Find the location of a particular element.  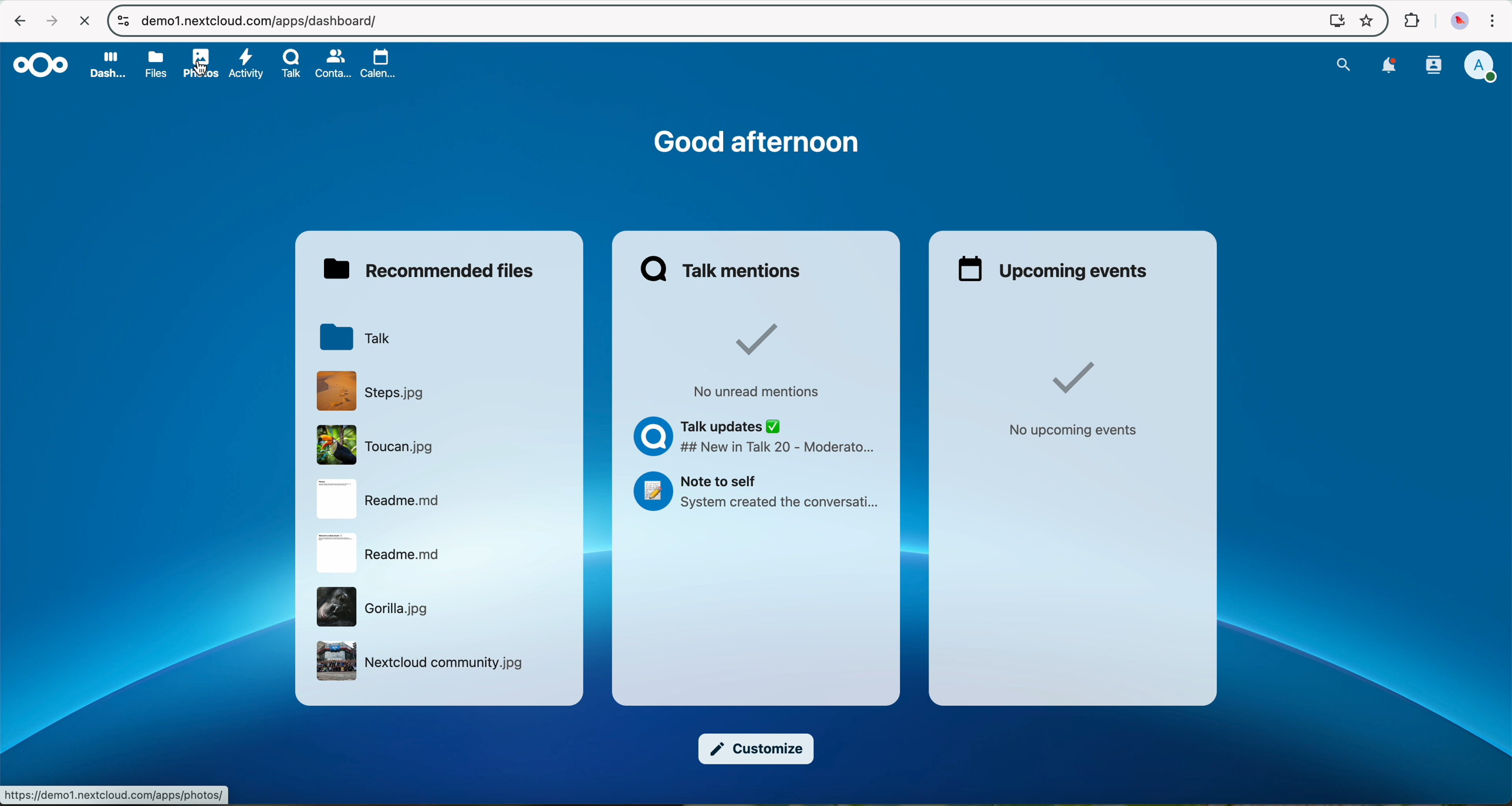

search is located at coordinates (1343, 63).